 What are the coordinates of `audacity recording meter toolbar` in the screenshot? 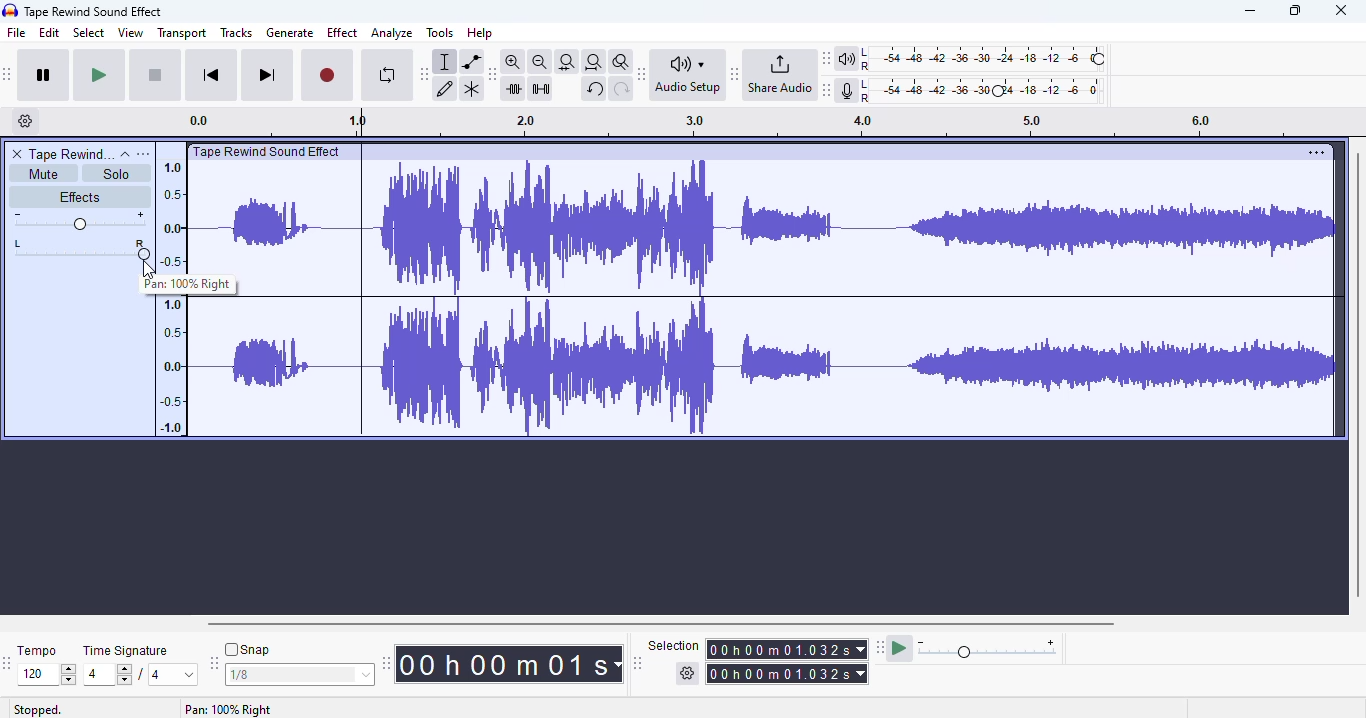 It's located at (827, 90).